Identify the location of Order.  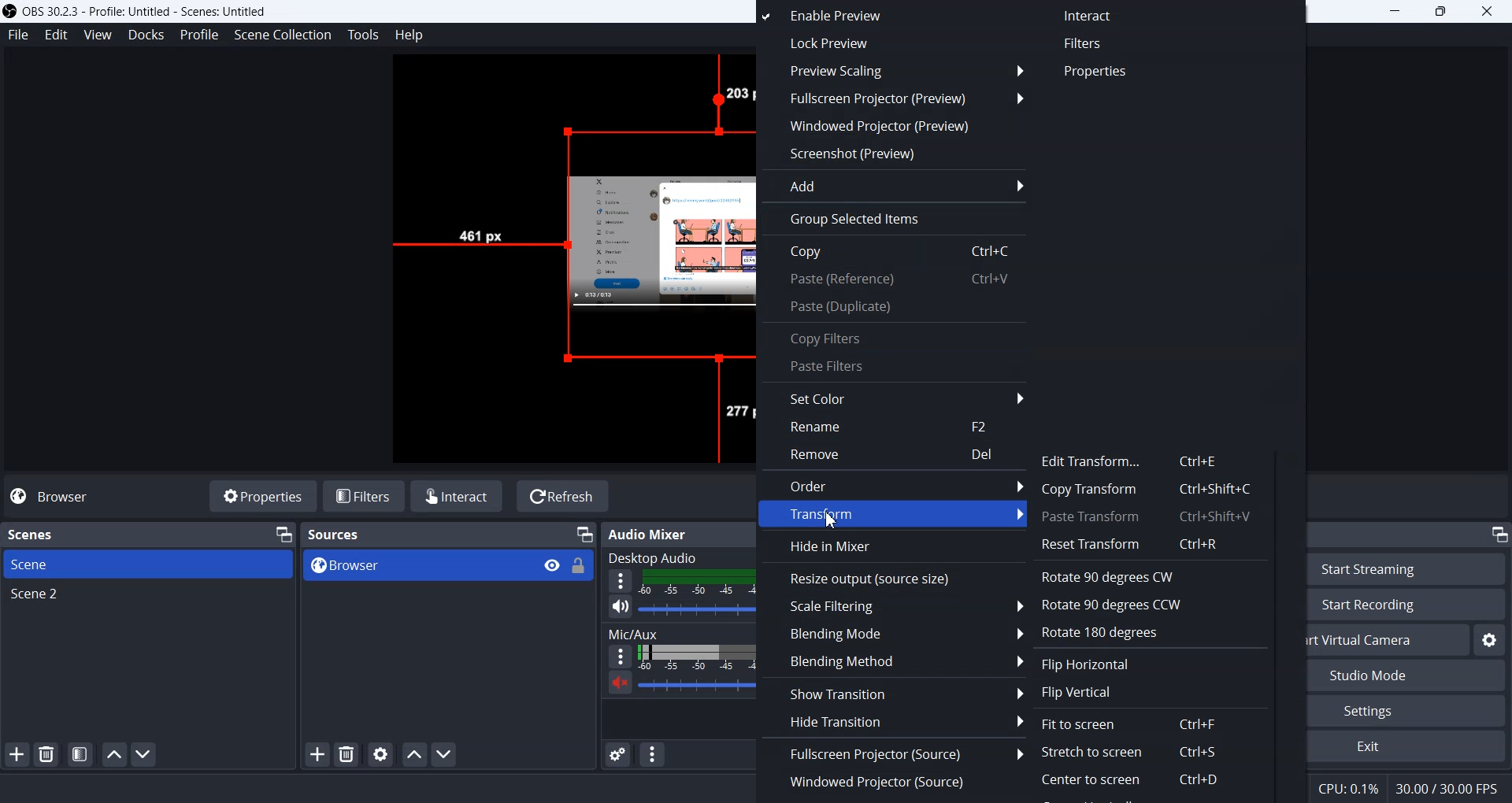
(893, 483).